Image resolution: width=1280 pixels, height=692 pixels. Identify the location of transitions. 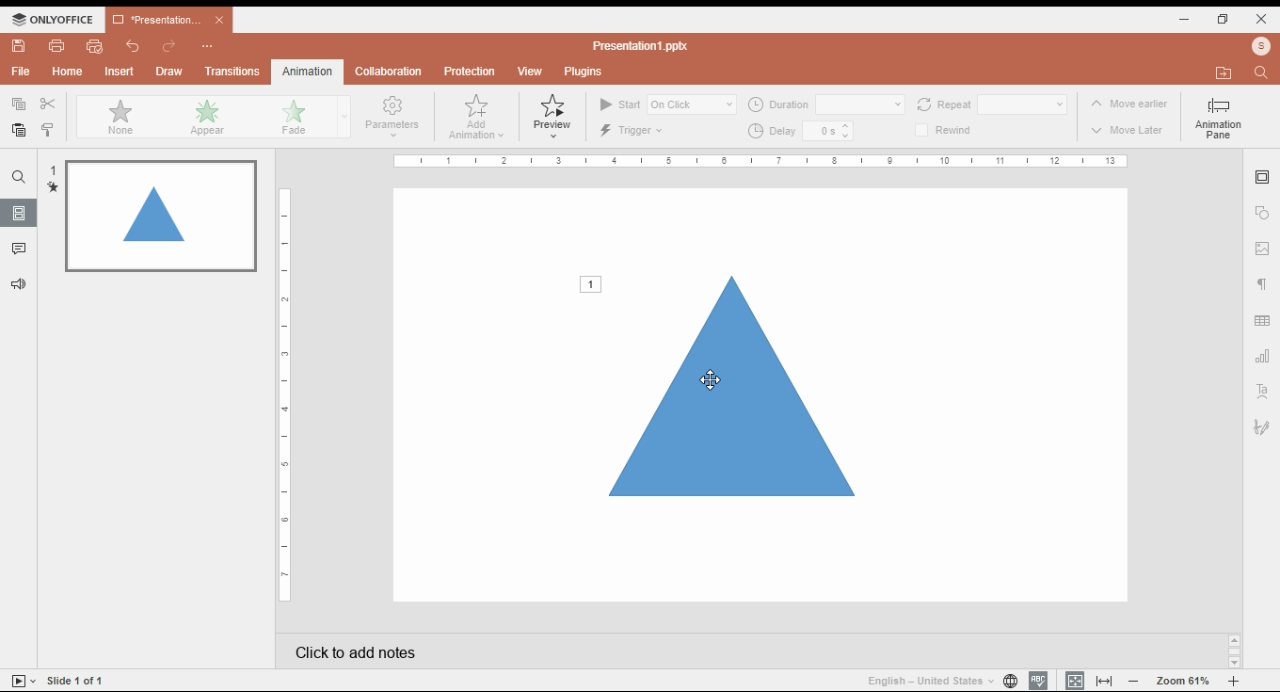
(232, 71).